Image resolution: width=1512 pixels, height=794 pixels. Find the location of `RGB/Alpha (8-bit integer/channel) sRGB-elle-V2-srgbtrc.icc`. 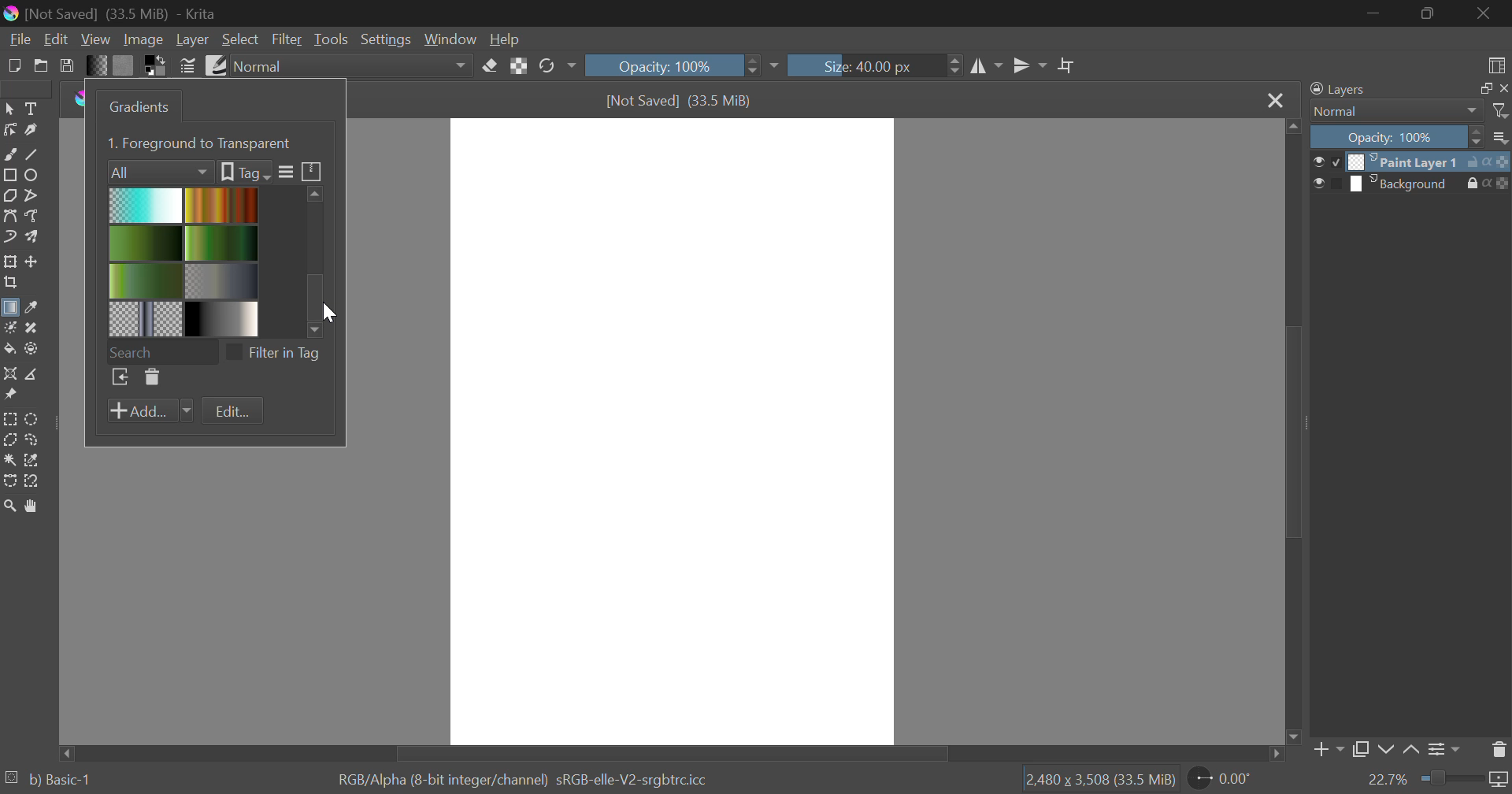

RGB/Alpha (8-bit integer/channel) sRGB-elle-V2-srgbtrc.icc is located at coordinates (528, 777).